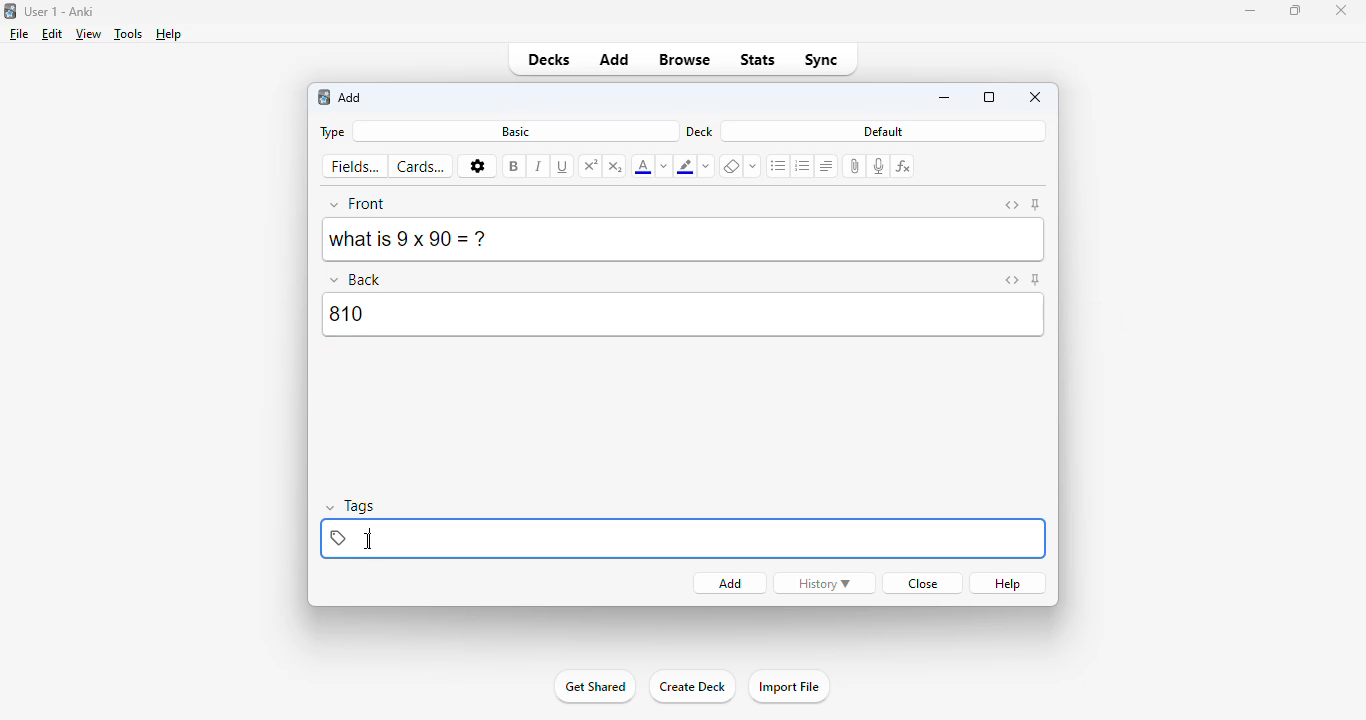 The height and width of the screenshot is (720, 1366). Describe the element at coordinates (920, 583) in the screenshot. I see `close` at that location.